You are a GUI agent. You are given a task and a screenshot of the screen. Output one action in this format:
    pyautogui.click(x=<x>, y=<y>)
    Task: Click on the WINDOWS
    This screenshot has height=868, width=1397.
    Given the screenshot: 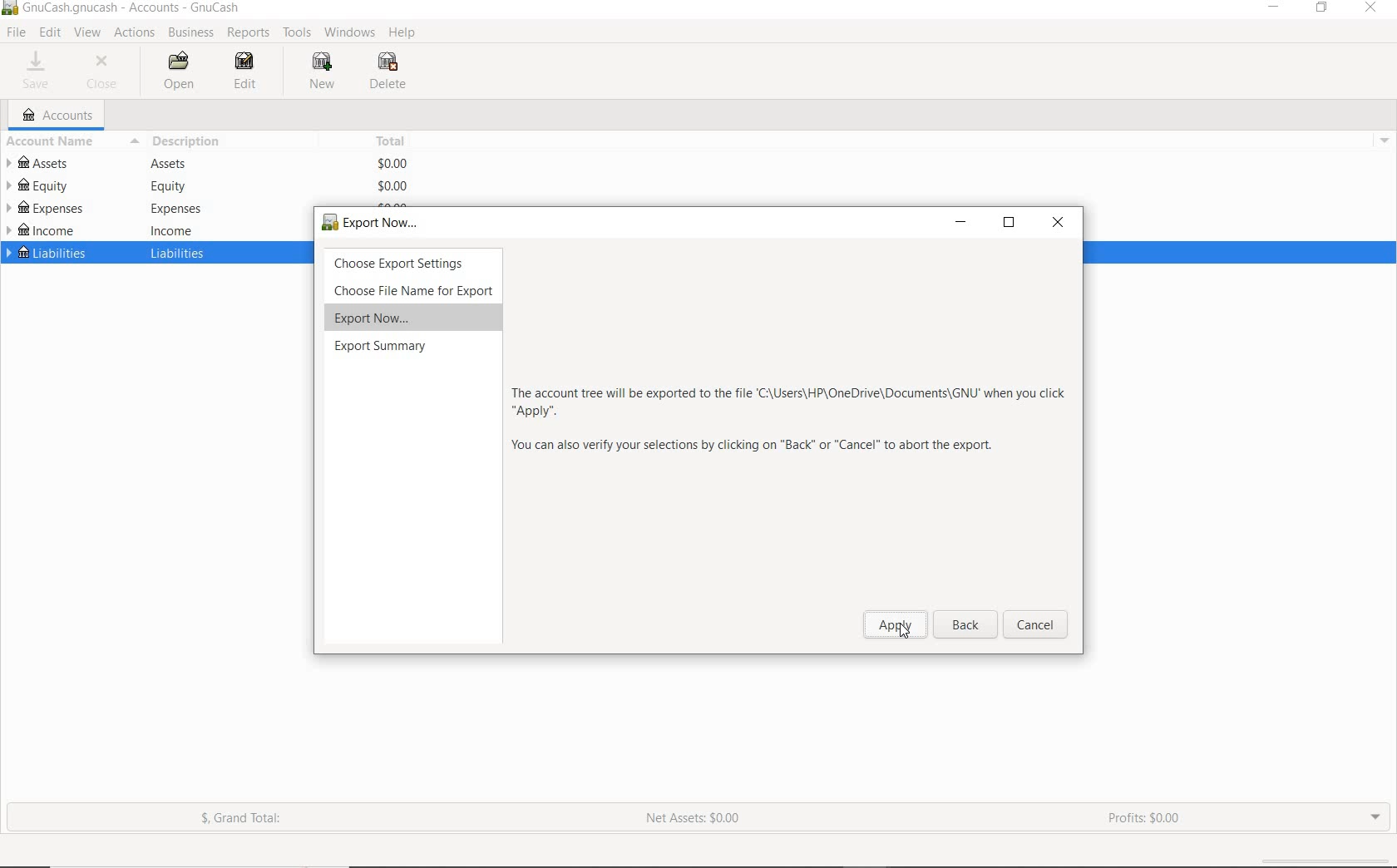 What is the action you would take?
    pyautogui.click(x=348, y=33)
    